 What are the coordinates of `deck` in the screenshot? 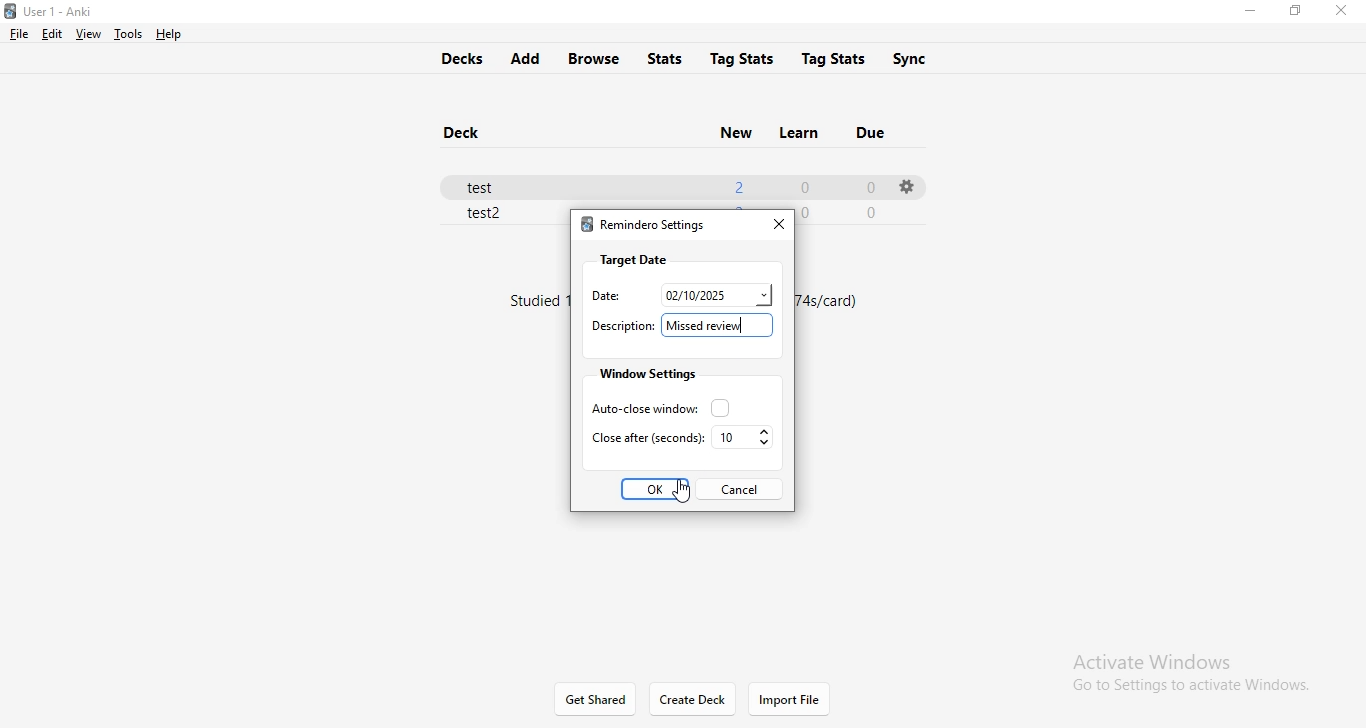 It's located at (467, 134).